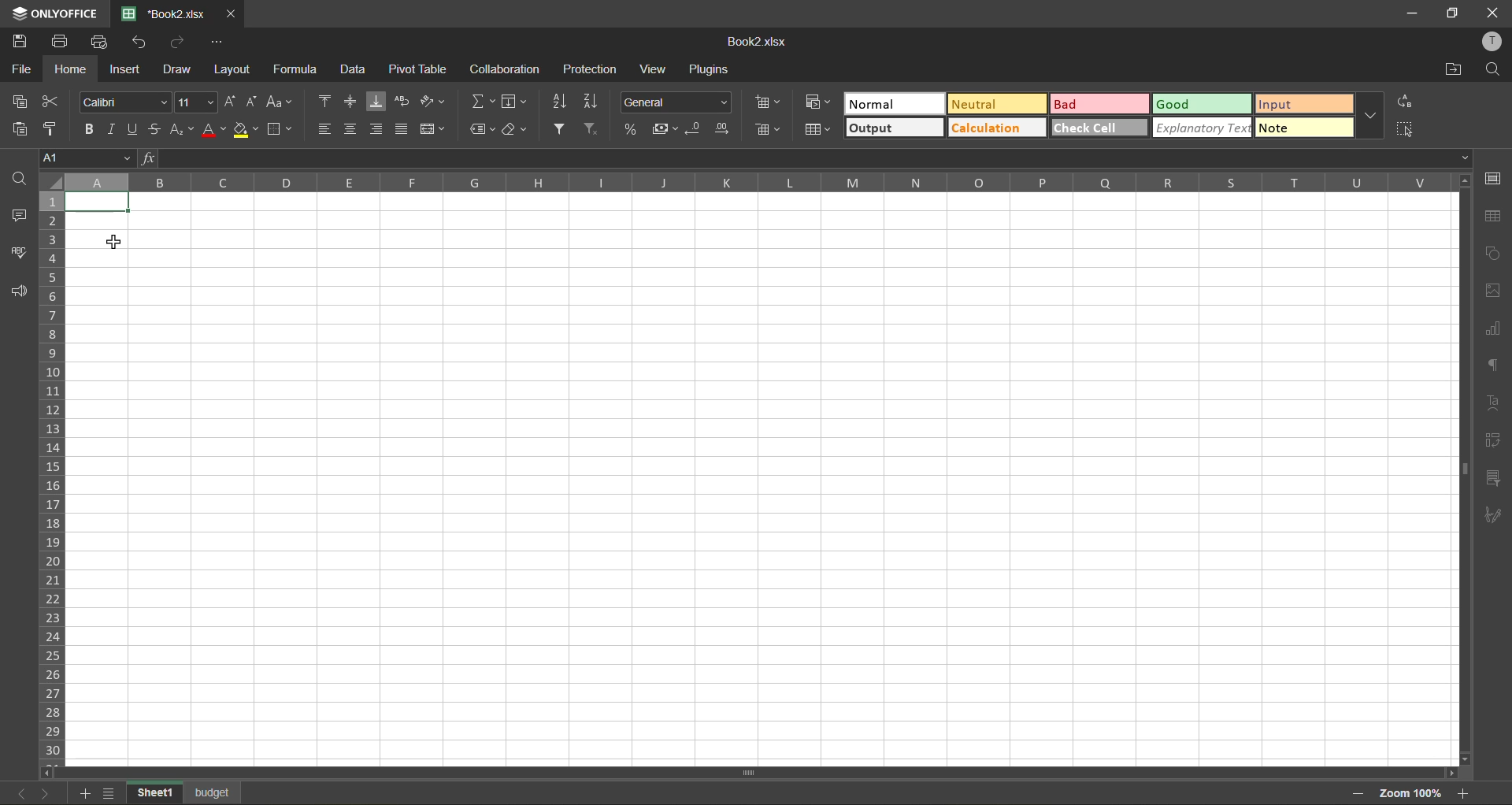  What do you see at coordinates (18, 293) in the screenshot?
I see `feedback` at bounding box center [18, 293].